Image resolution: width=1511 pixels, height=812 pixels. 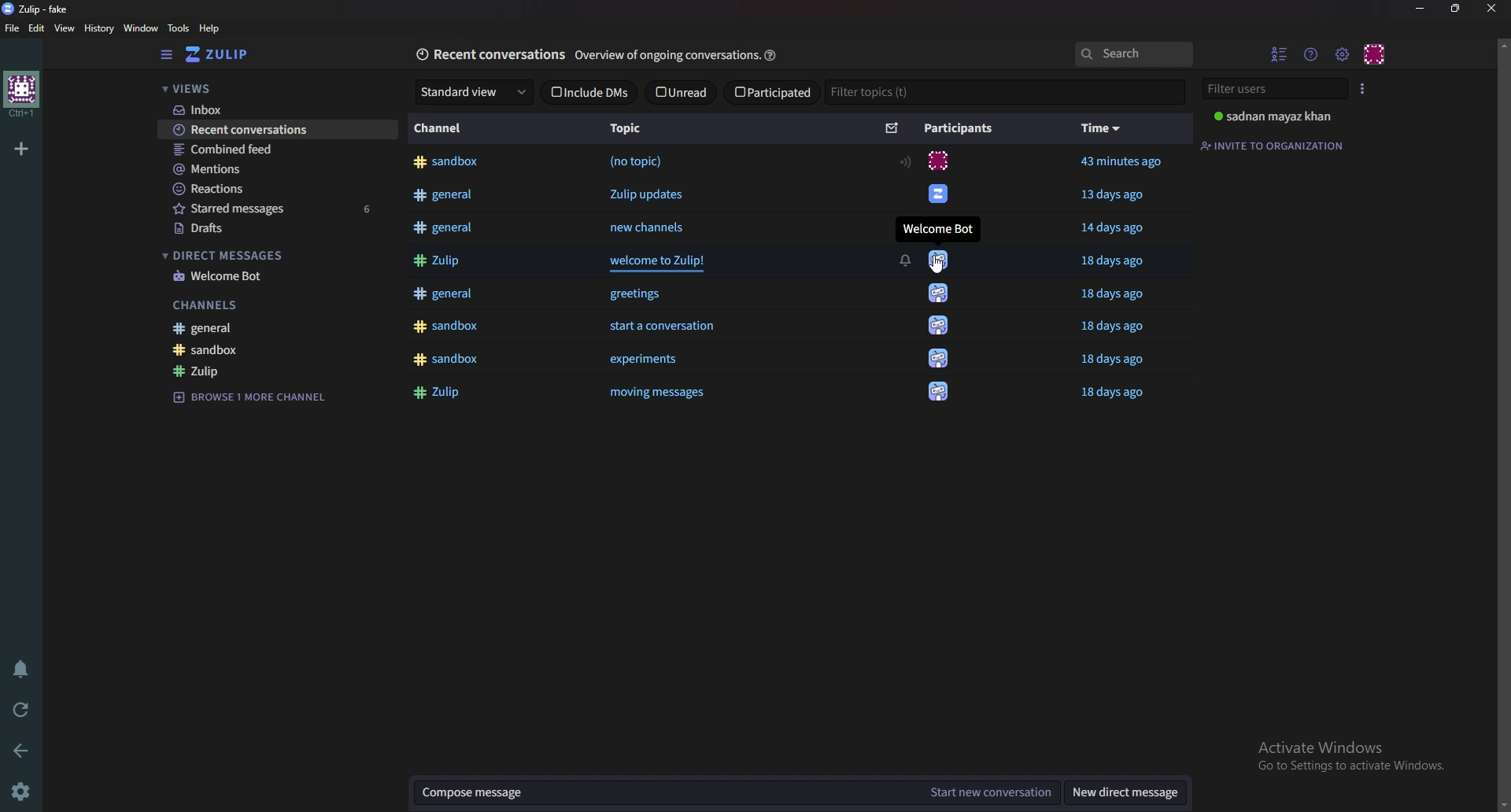 What do you see at coordinates (284, 187) in the screenshot?
I see `Reactions` at bounding box center [284, 187].